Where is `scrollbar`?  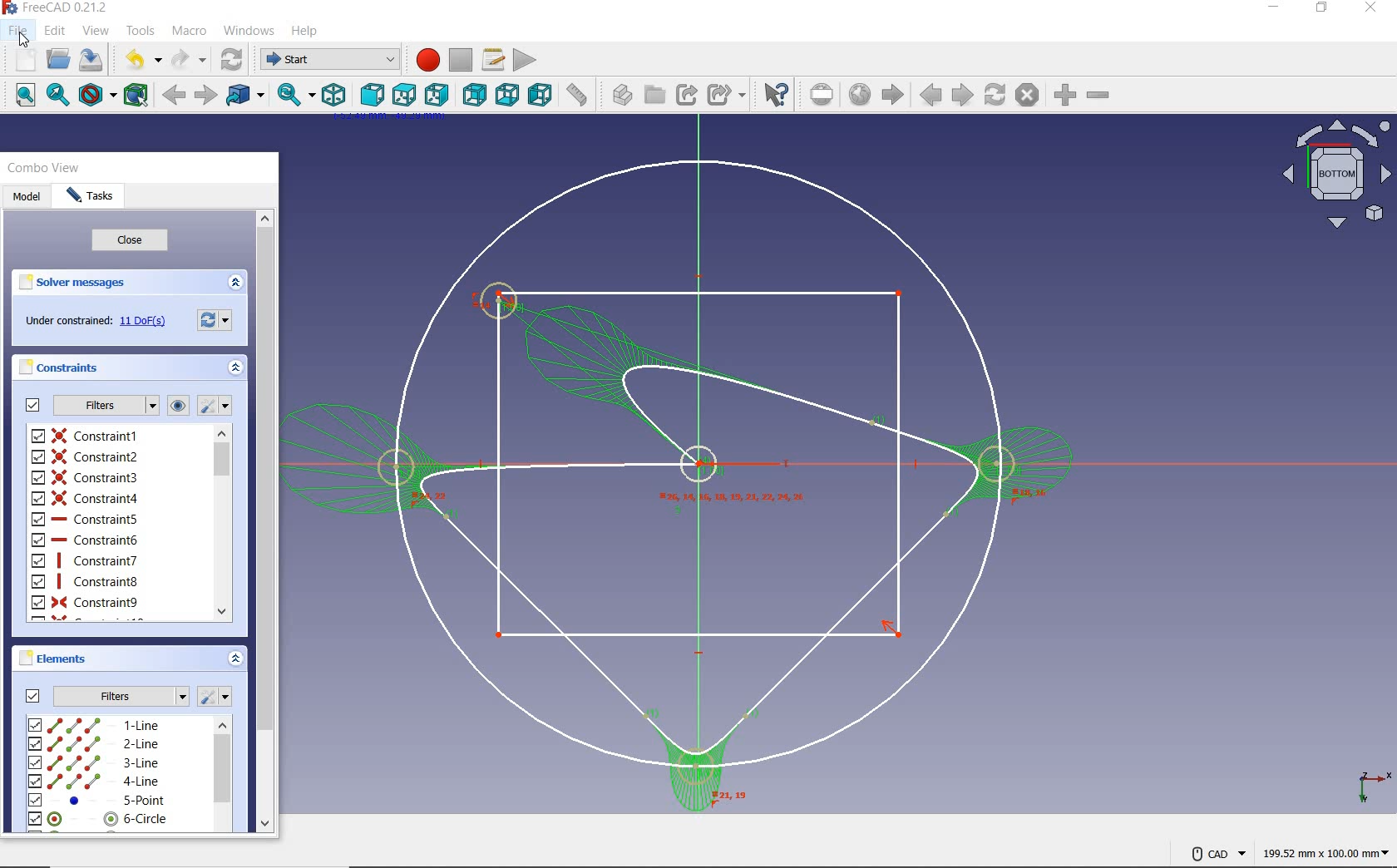 scrollbar is located at coordinates (222, 522).